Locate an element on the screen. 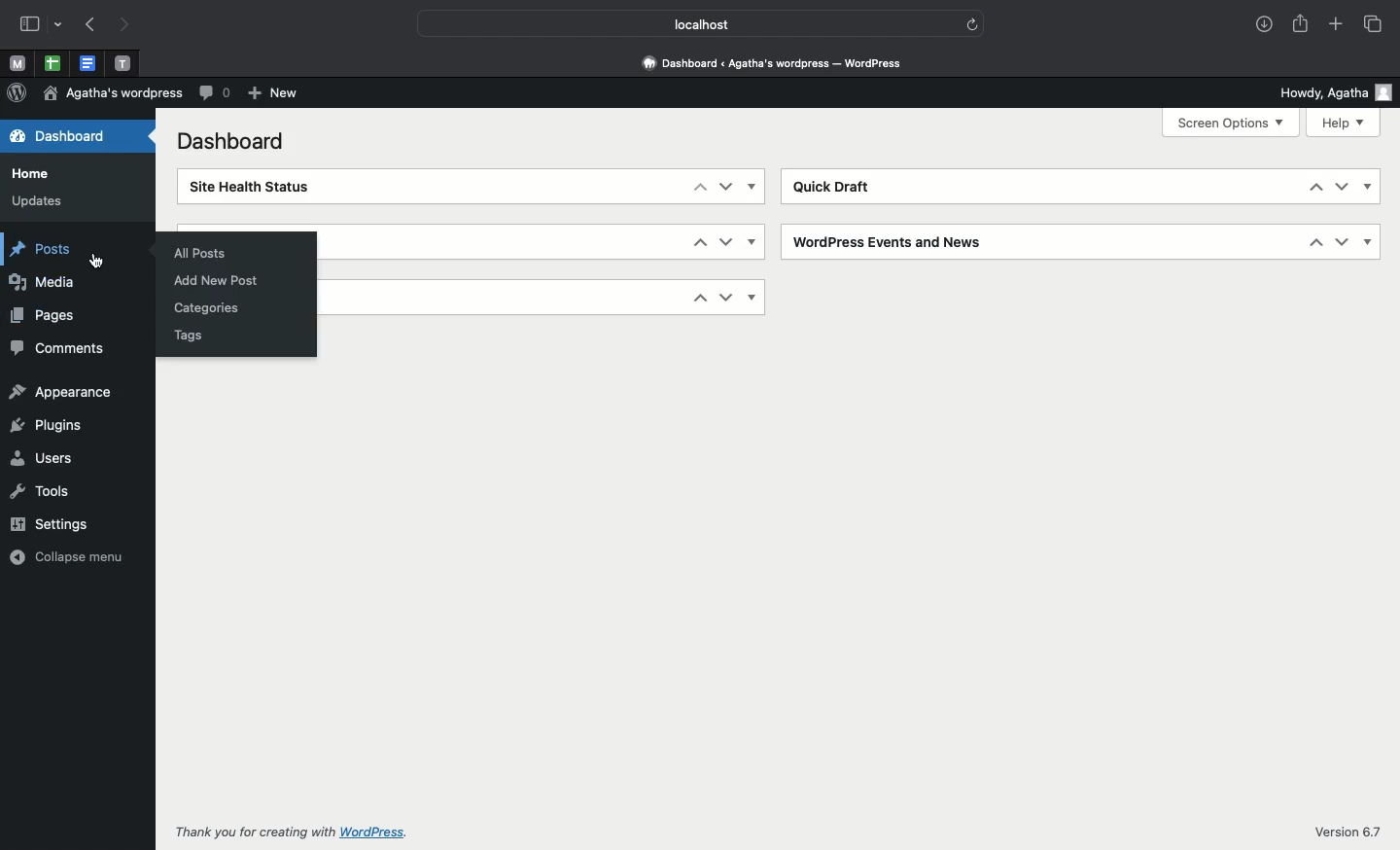  Thank you for creating with is located at coordinates (247, 833).